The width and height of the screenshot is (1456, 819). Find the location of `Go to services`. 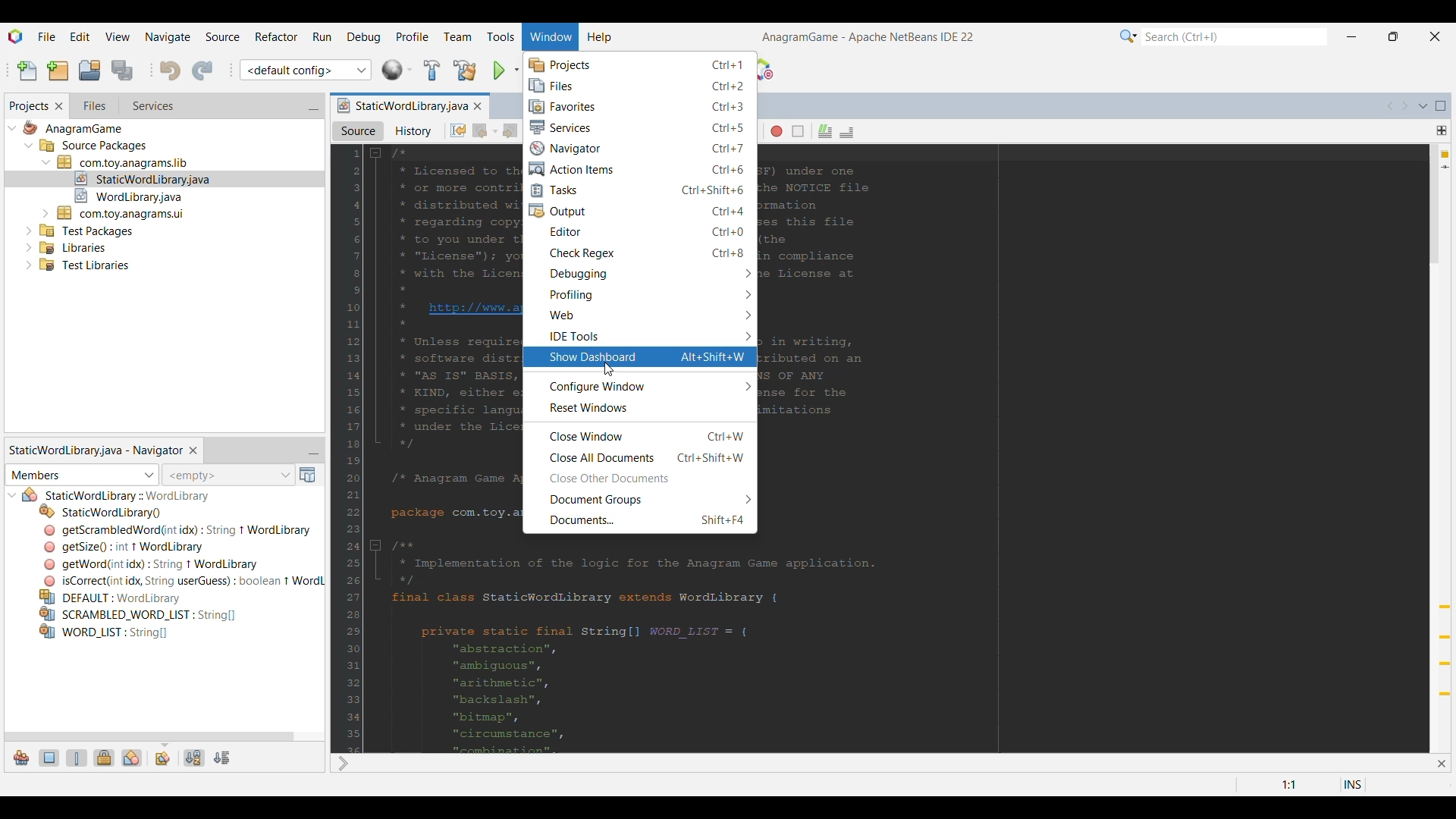

Go to services is located at coordinates (152, 106).